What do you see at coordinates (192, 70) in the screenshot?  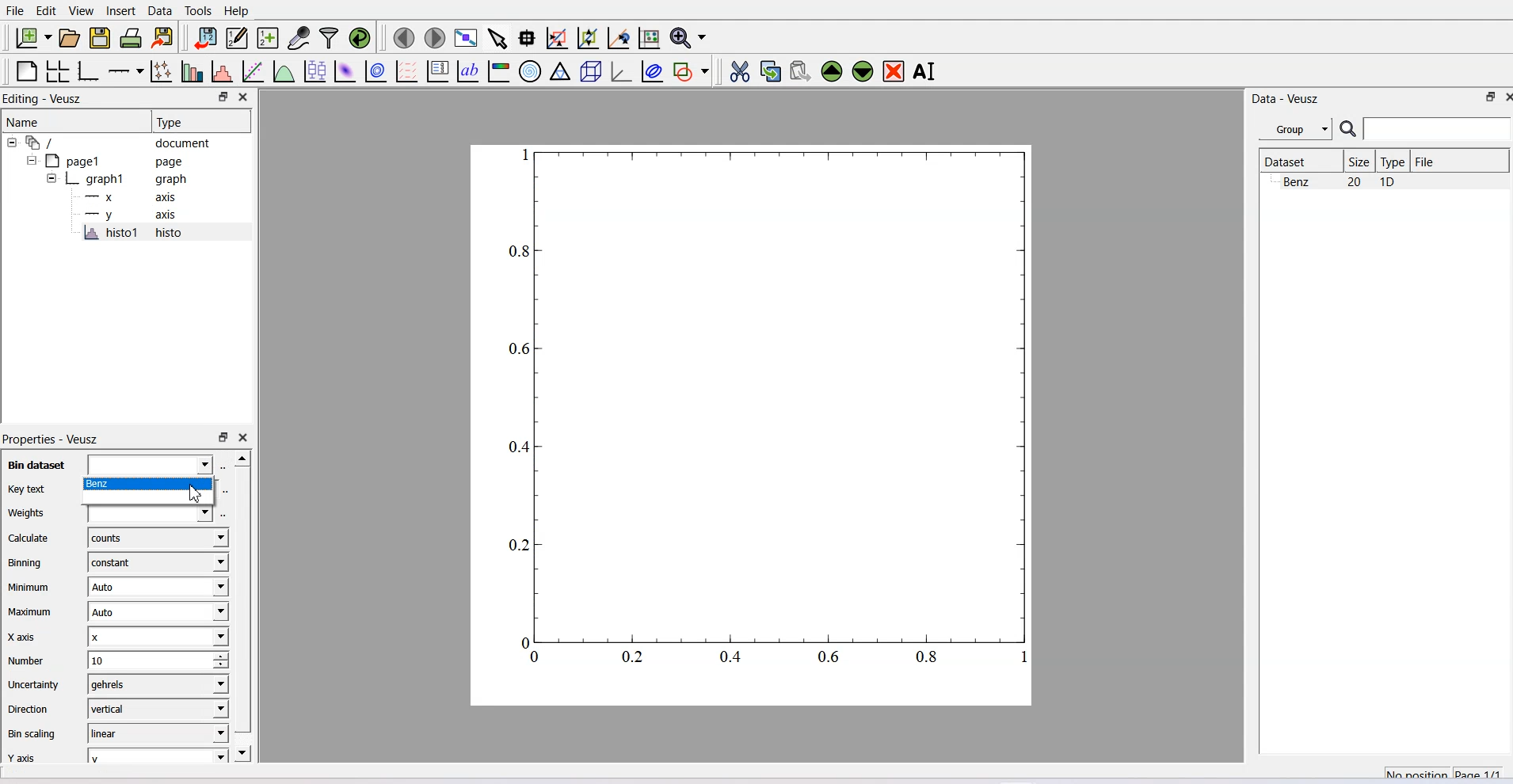 I see `Plot bar chart` at bounding box center [192, 70].